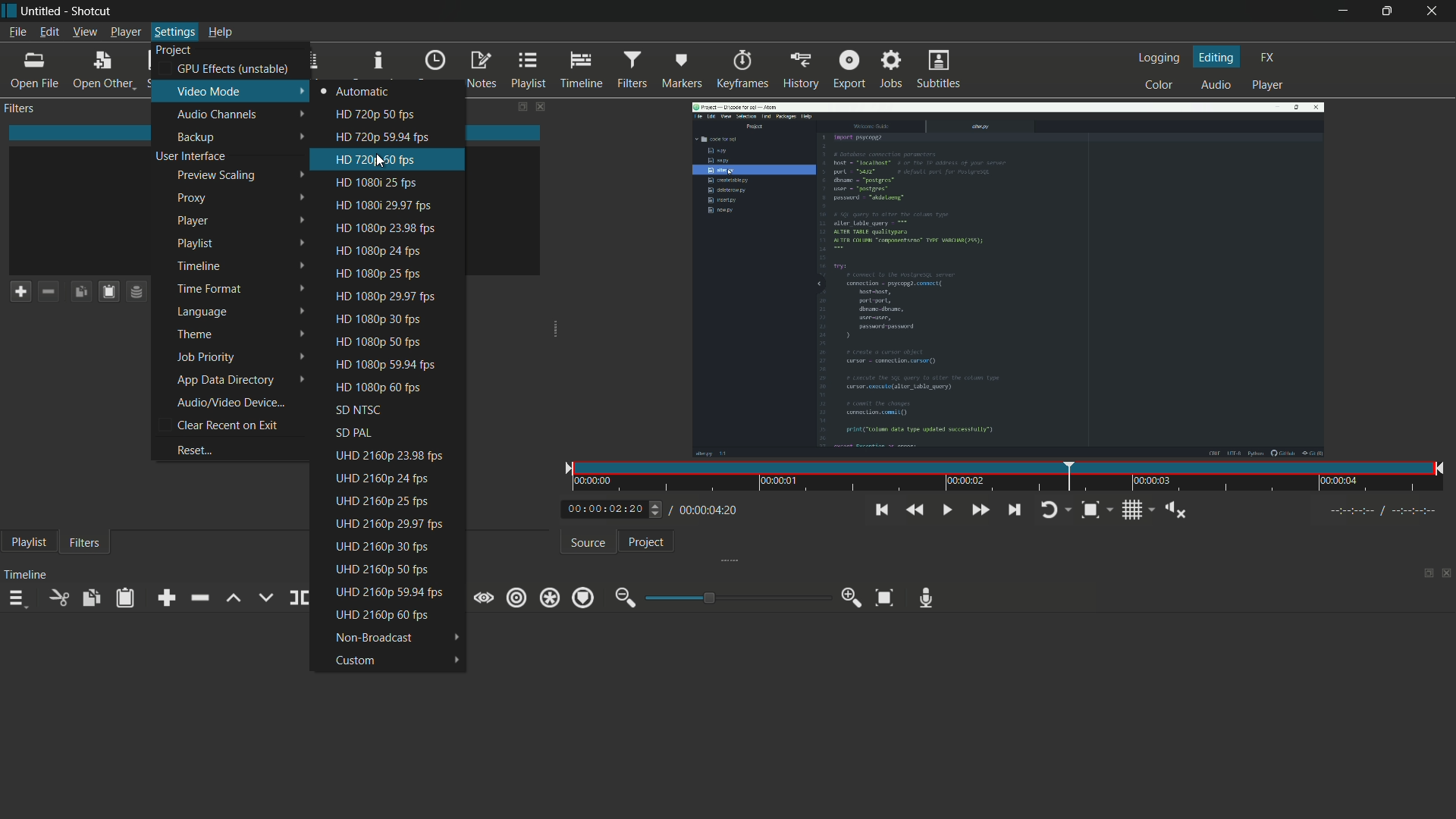 The image size is (1456, 819). Describe the element at coordinates (1269, 57) in the screenshot. I see `fx` at that location.